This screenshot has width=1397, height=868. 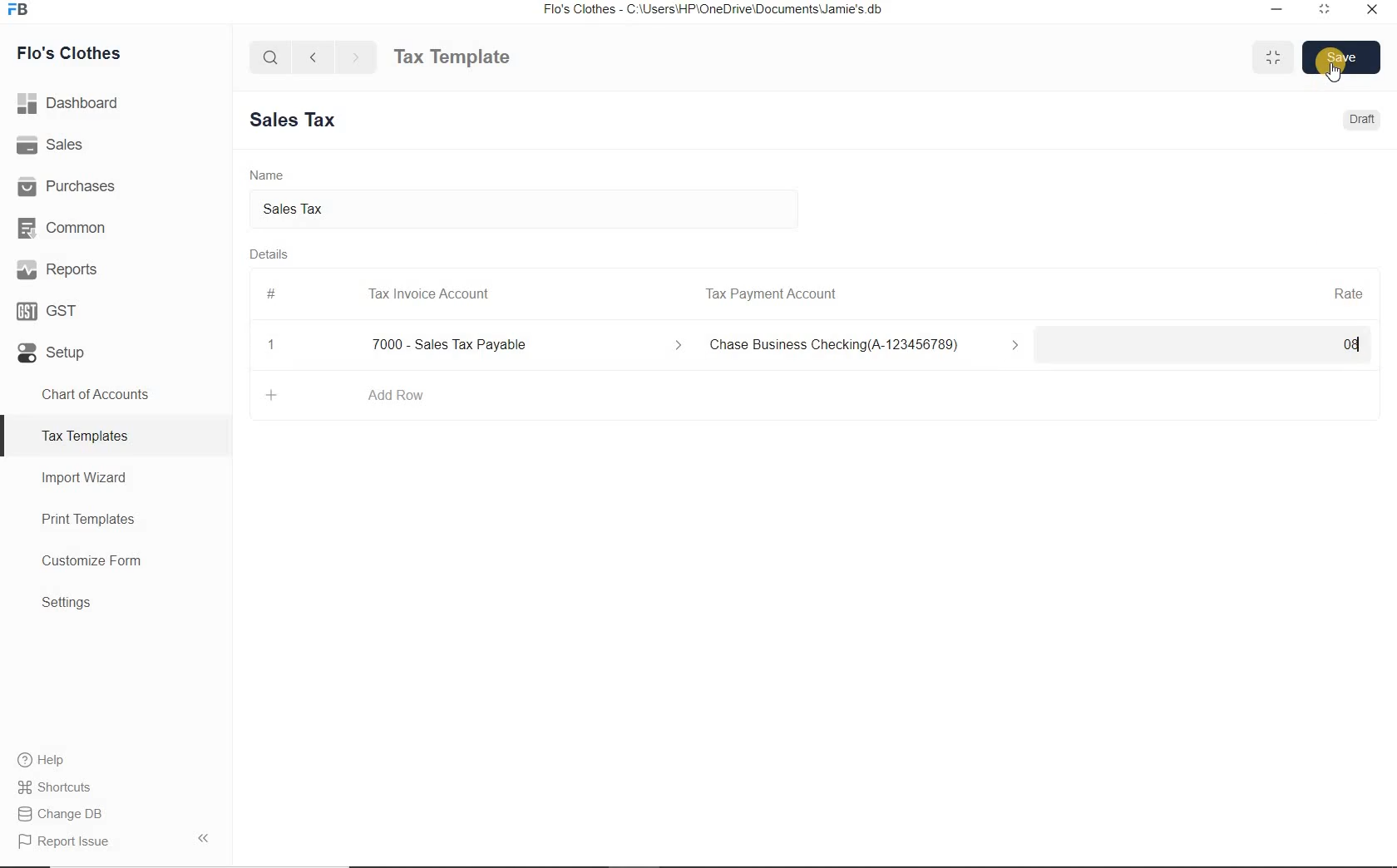 What do you see at coordinates (1212, 346) in the screenshot?
I see `08` at bounding box center [1212, 346].